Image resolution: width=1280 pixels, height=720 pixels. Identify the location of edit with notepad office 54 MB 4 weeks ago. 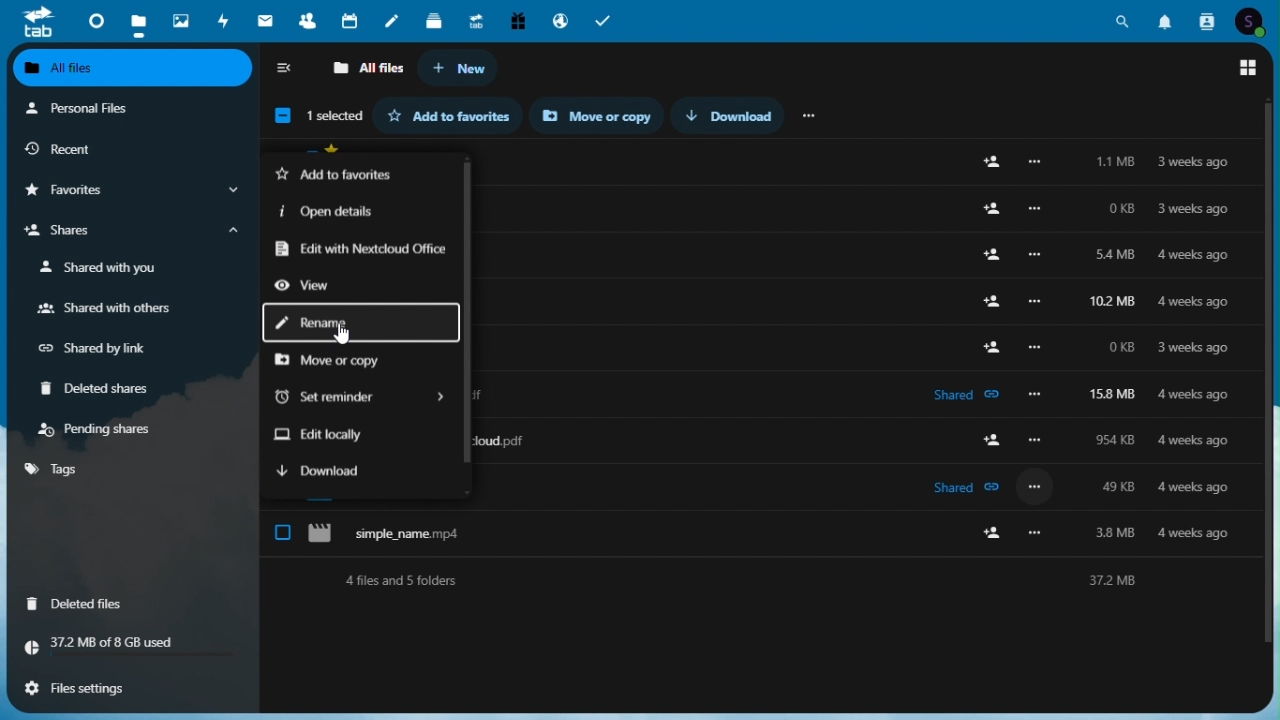
(756, 248).